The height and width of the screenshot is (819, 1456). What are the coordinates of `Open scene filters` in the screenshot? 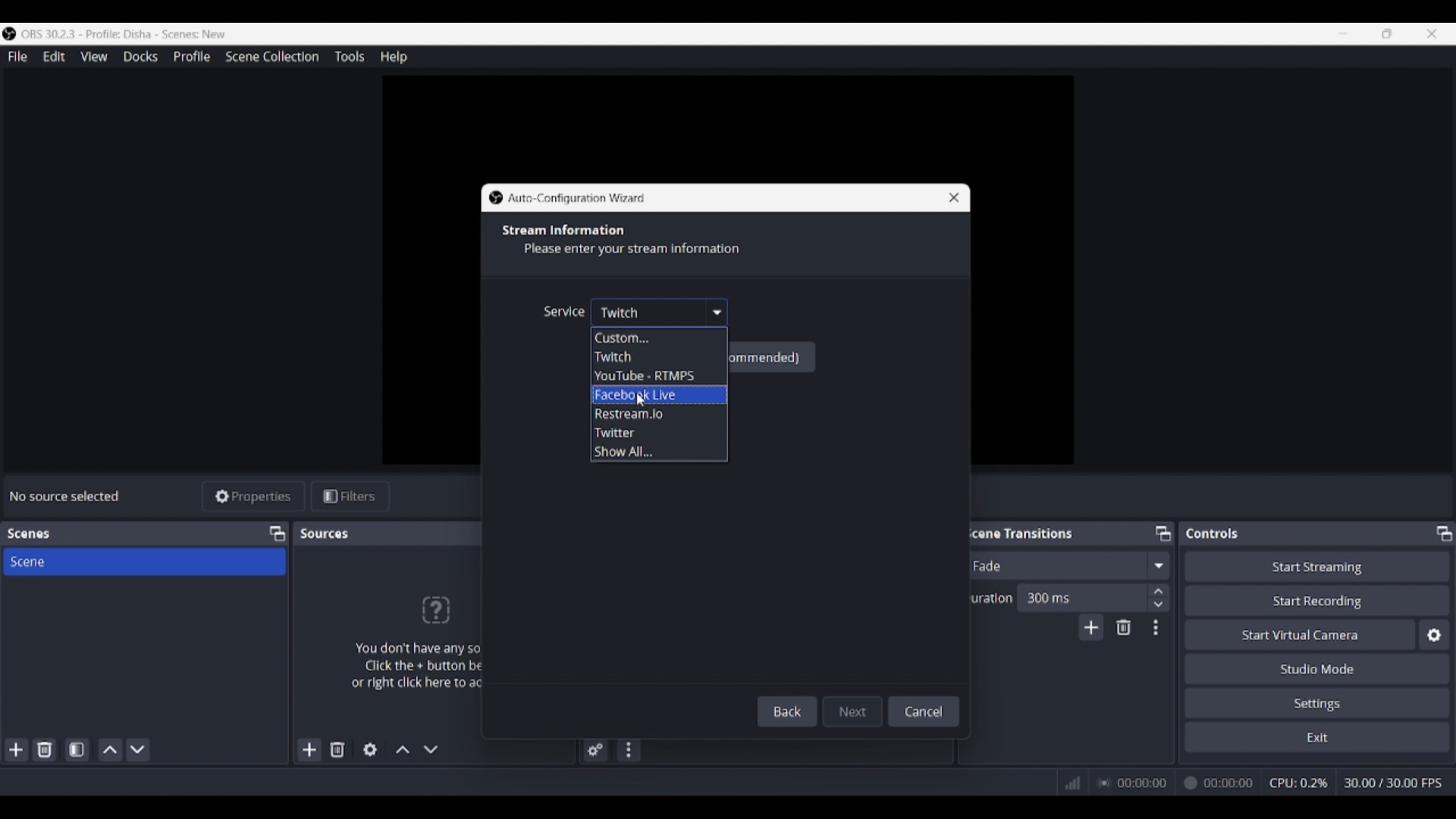 It's located at (77, 749).